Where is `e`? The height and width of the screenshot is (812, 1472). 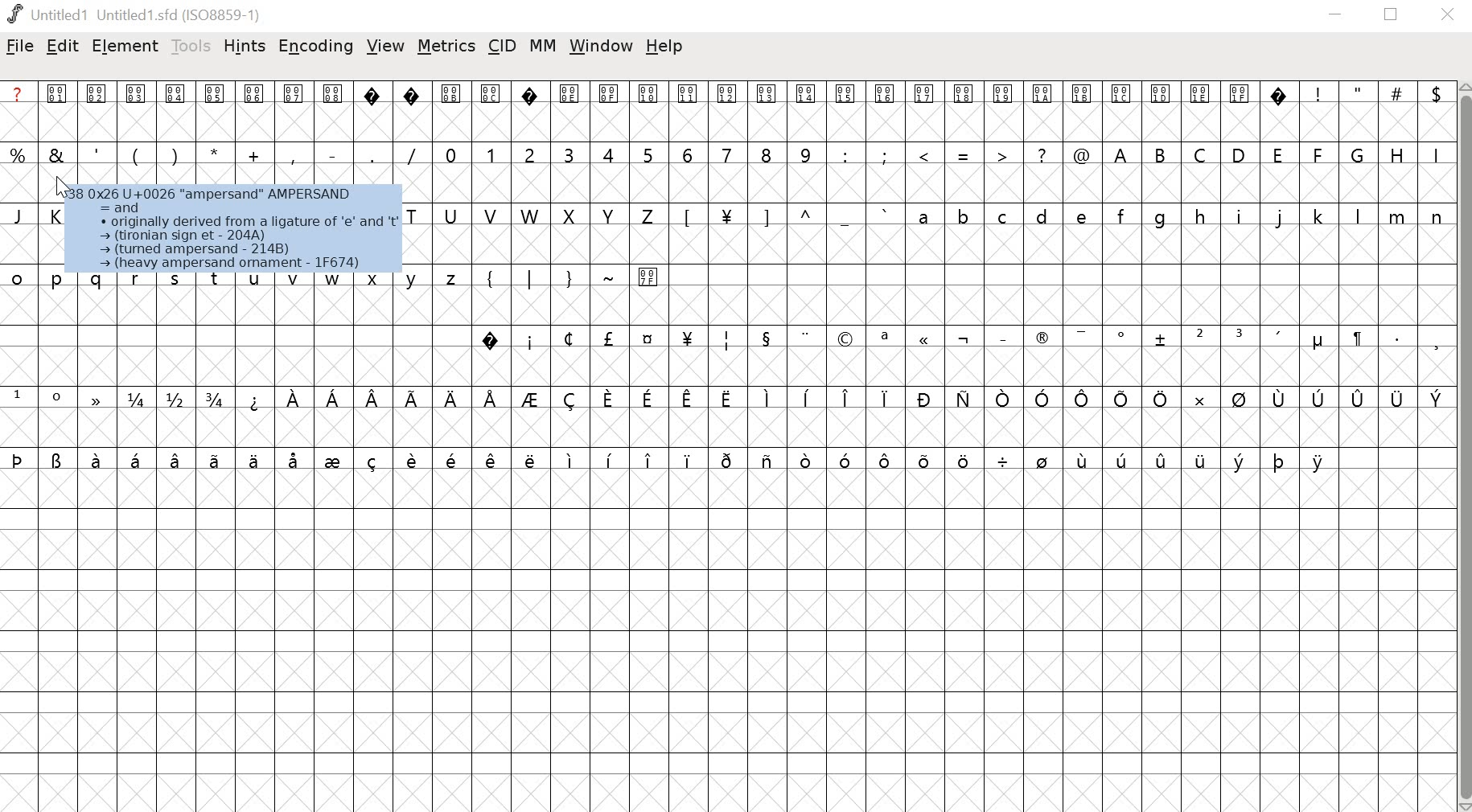 e is located at coordinates (1084, 215).